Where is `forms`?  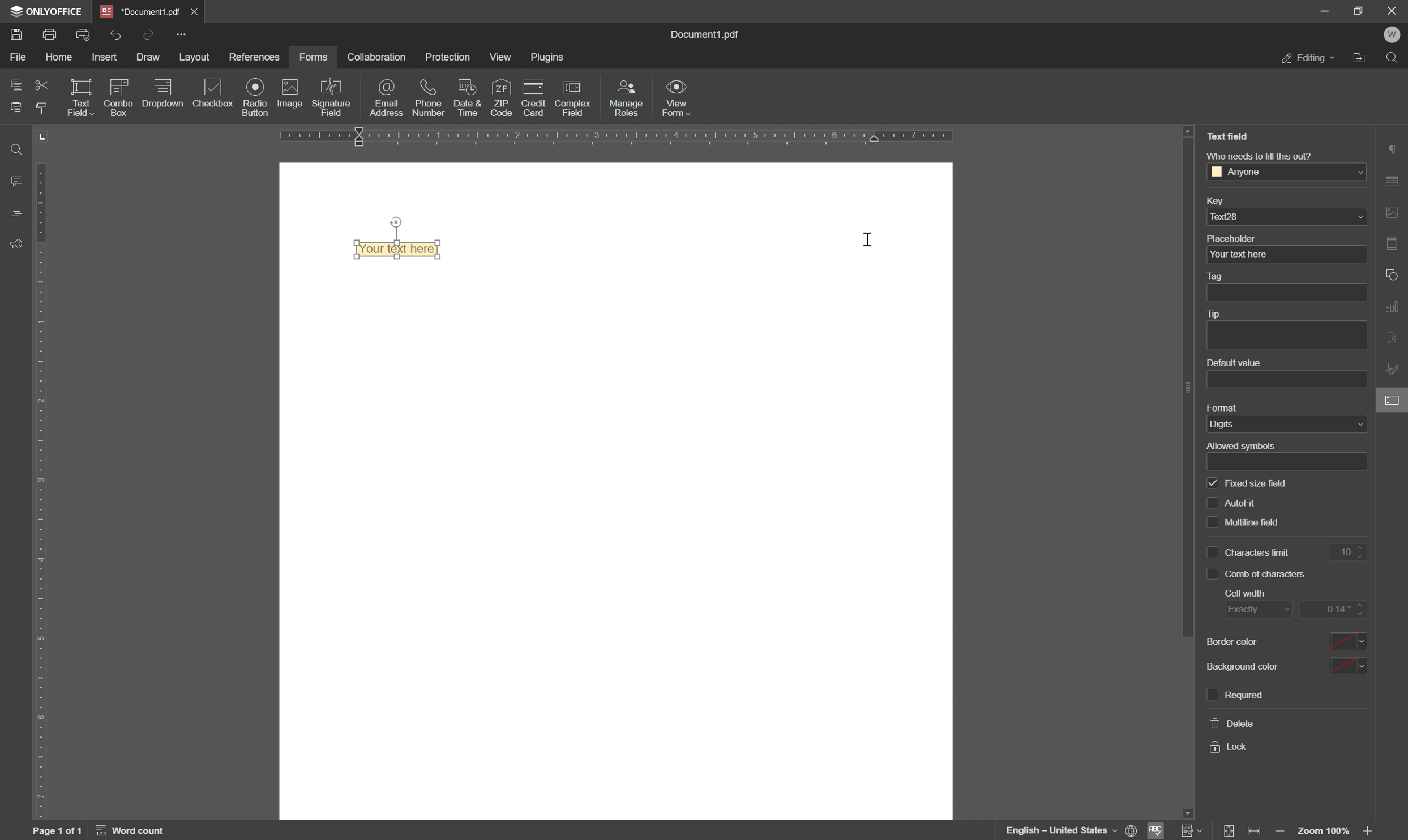
forms is located at coordinates (318, 55).